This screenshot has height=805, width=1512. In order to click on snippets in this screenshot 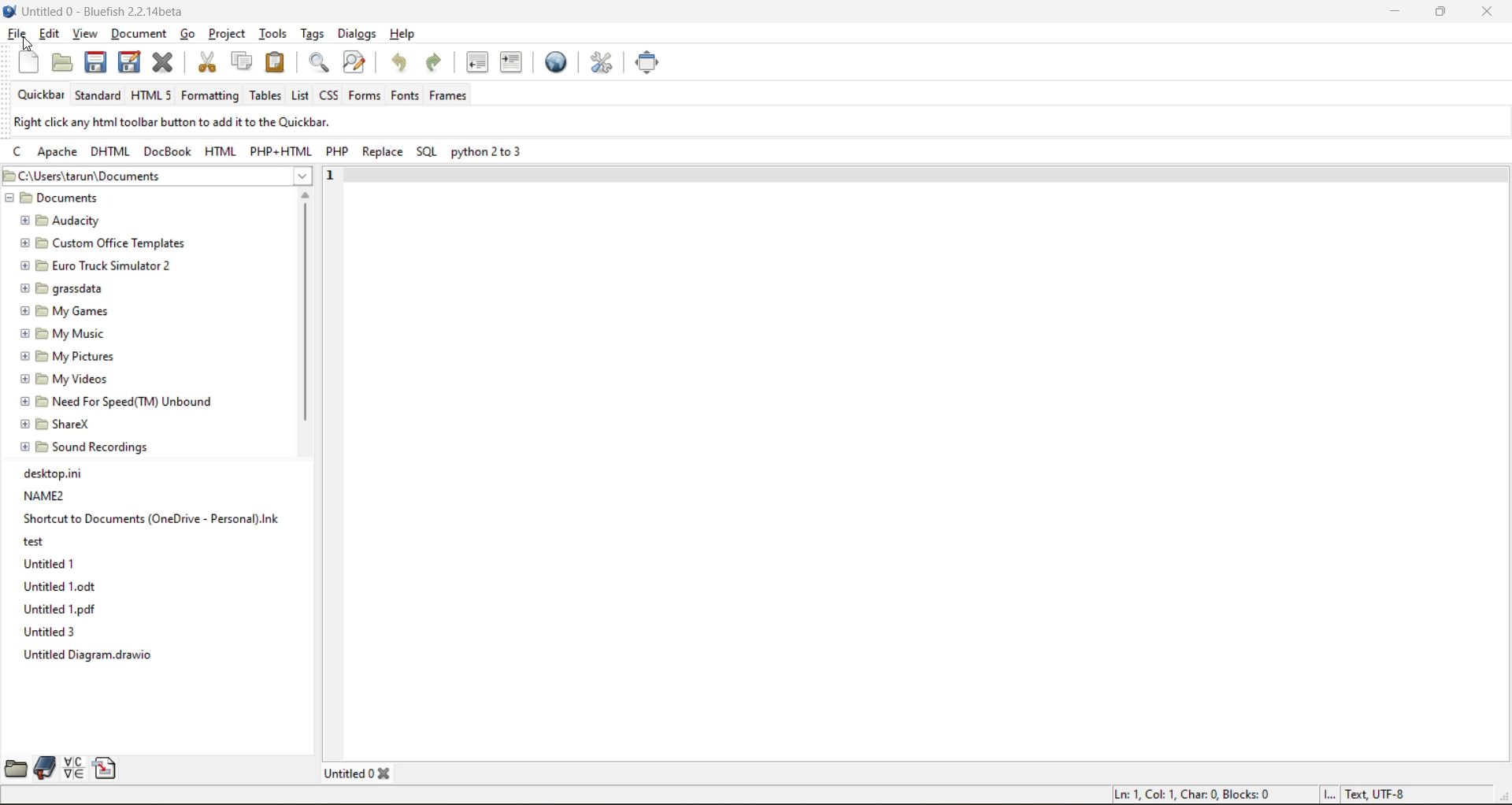, I will do `click(107, 768)`.